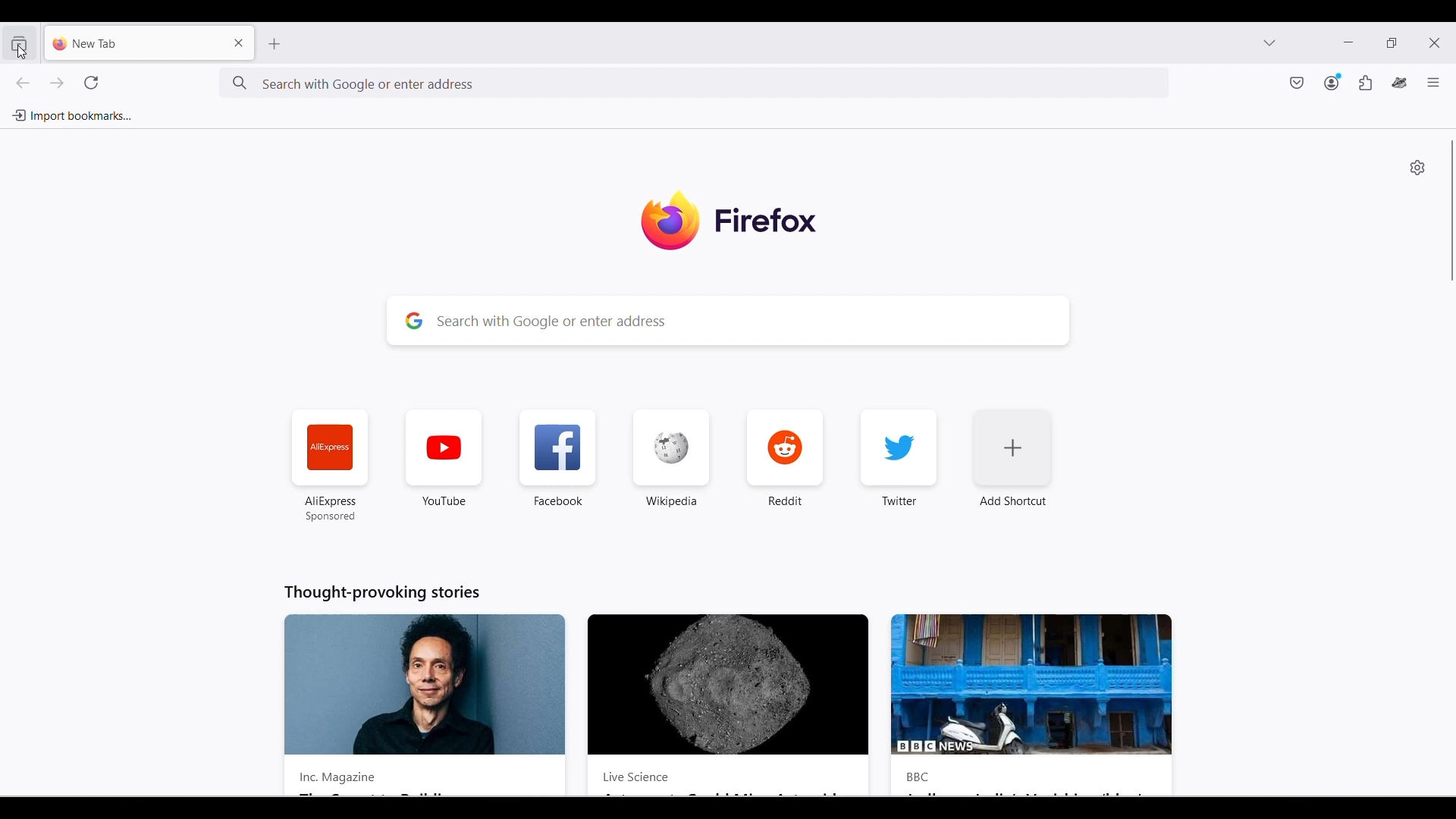 The image size is (1456, 819). I want to click on Search with Google or enter address, so click(730, 321).